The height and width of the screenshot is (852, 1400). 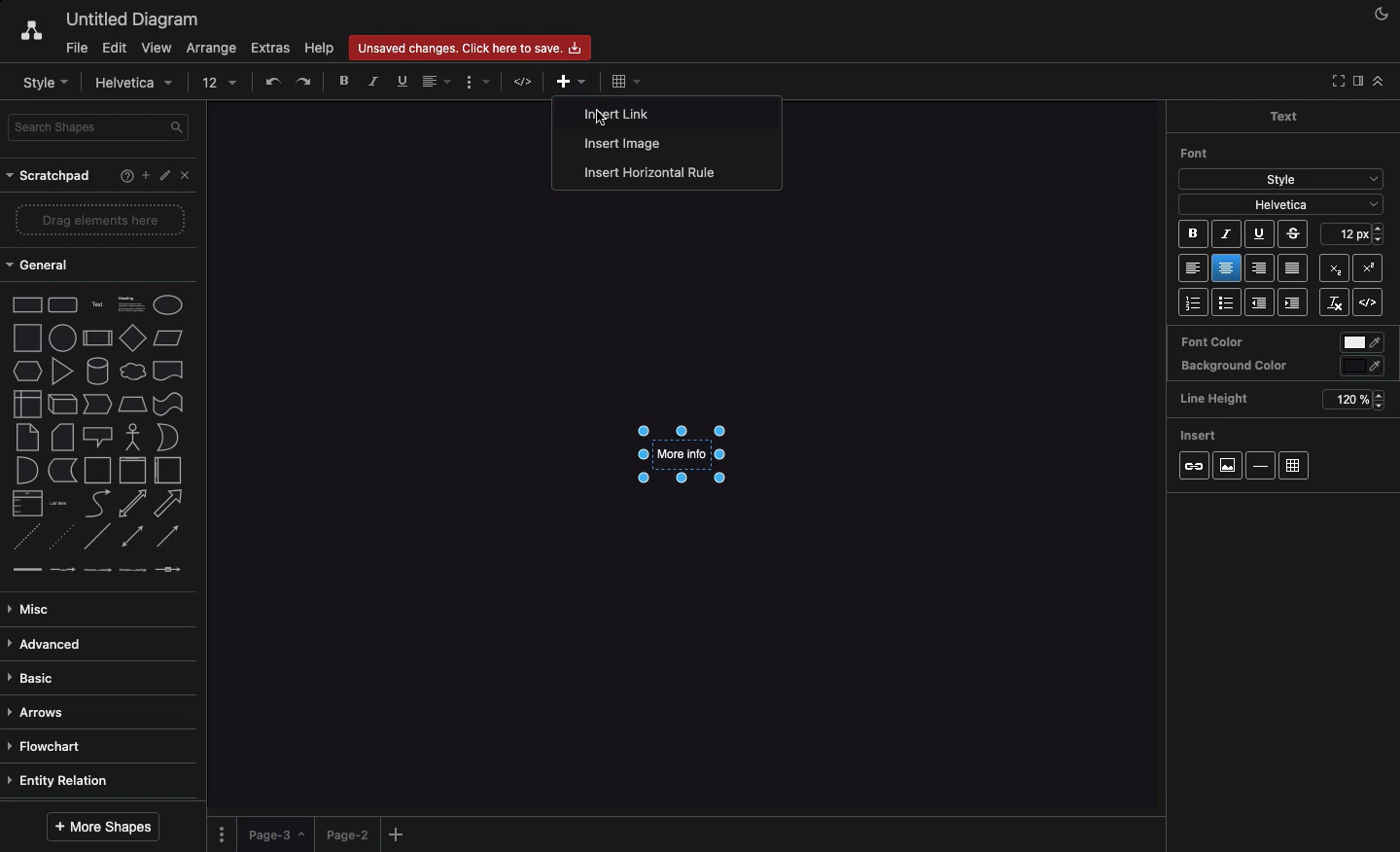 I want to click on dashed line, so click(x=25, y=537).